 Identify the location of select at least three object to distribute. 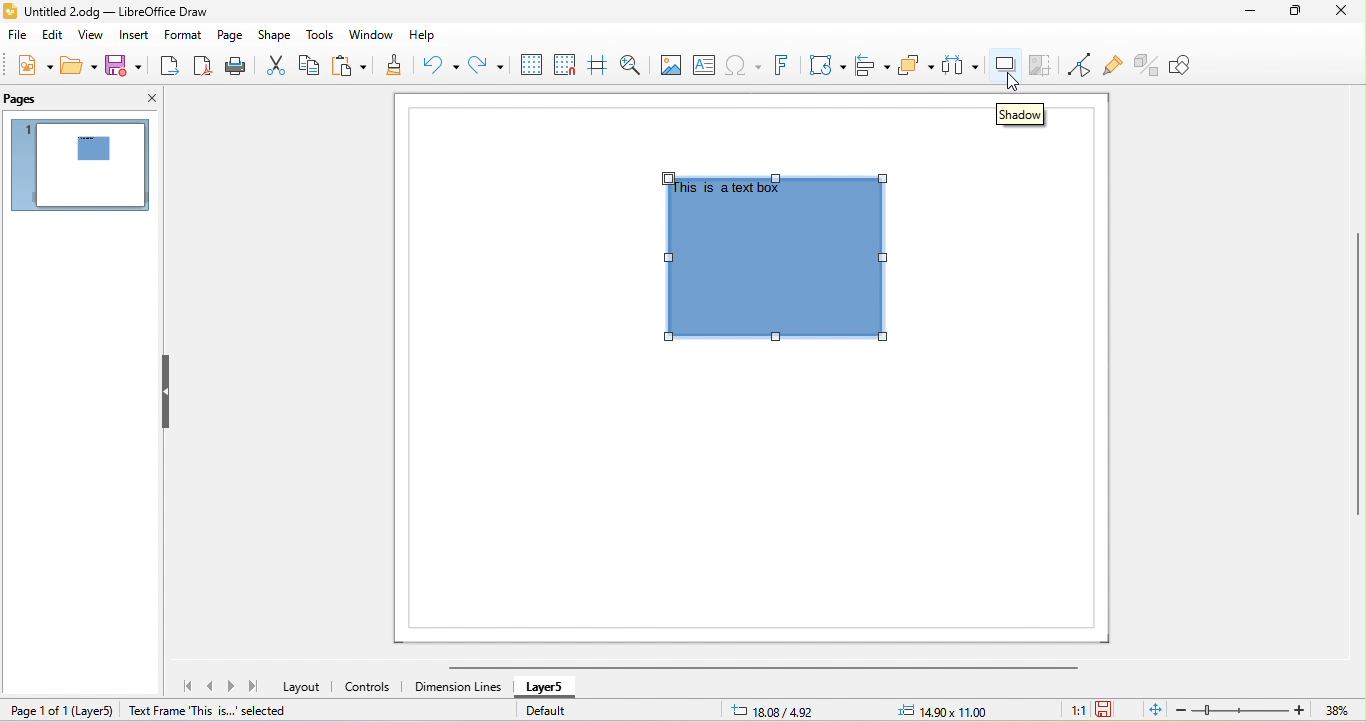
(961, 65).